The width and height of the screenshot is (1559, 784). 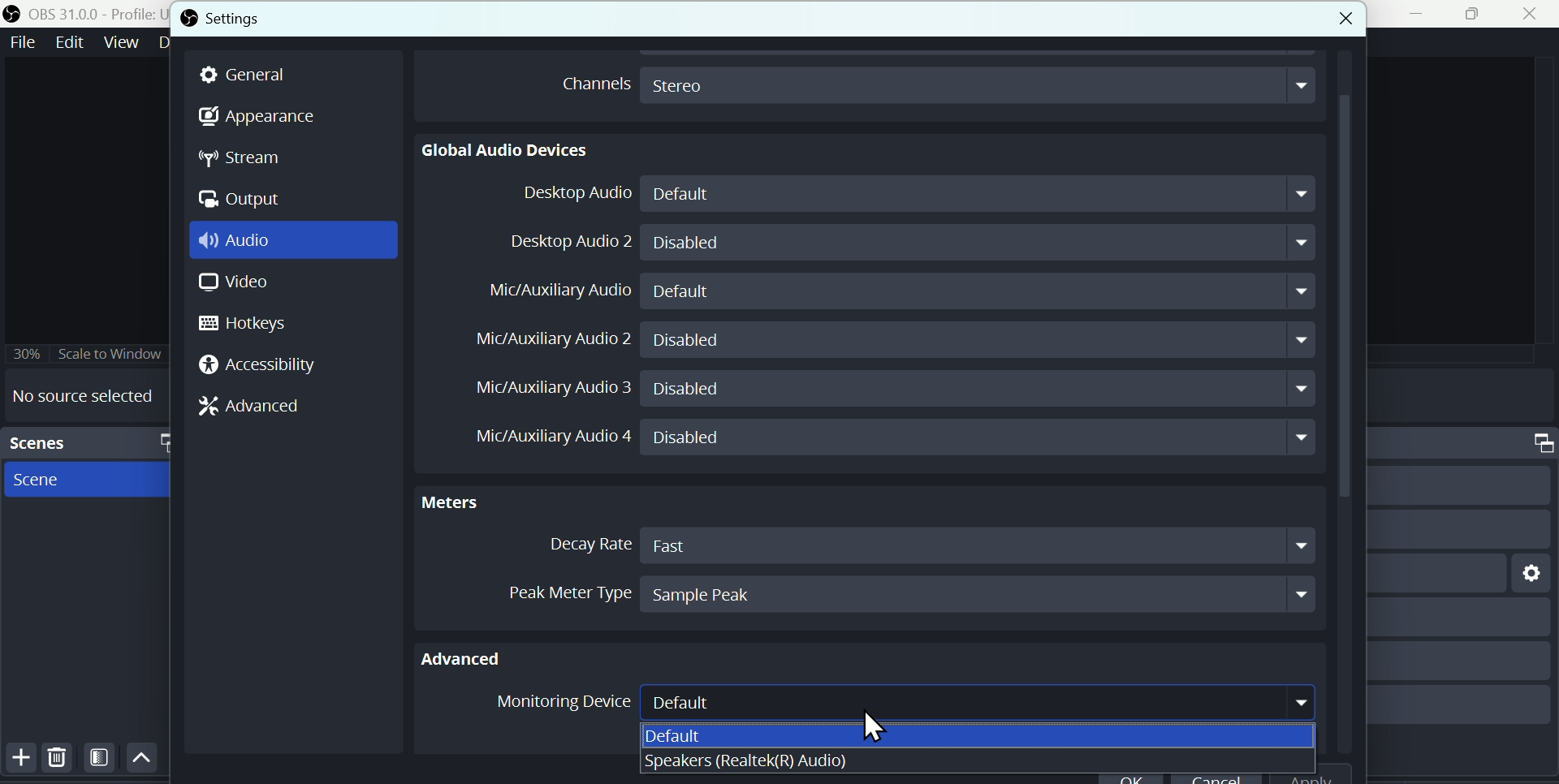 I want to click on Mic/Auxiliary Audio 4, so click(x=542, y=439).